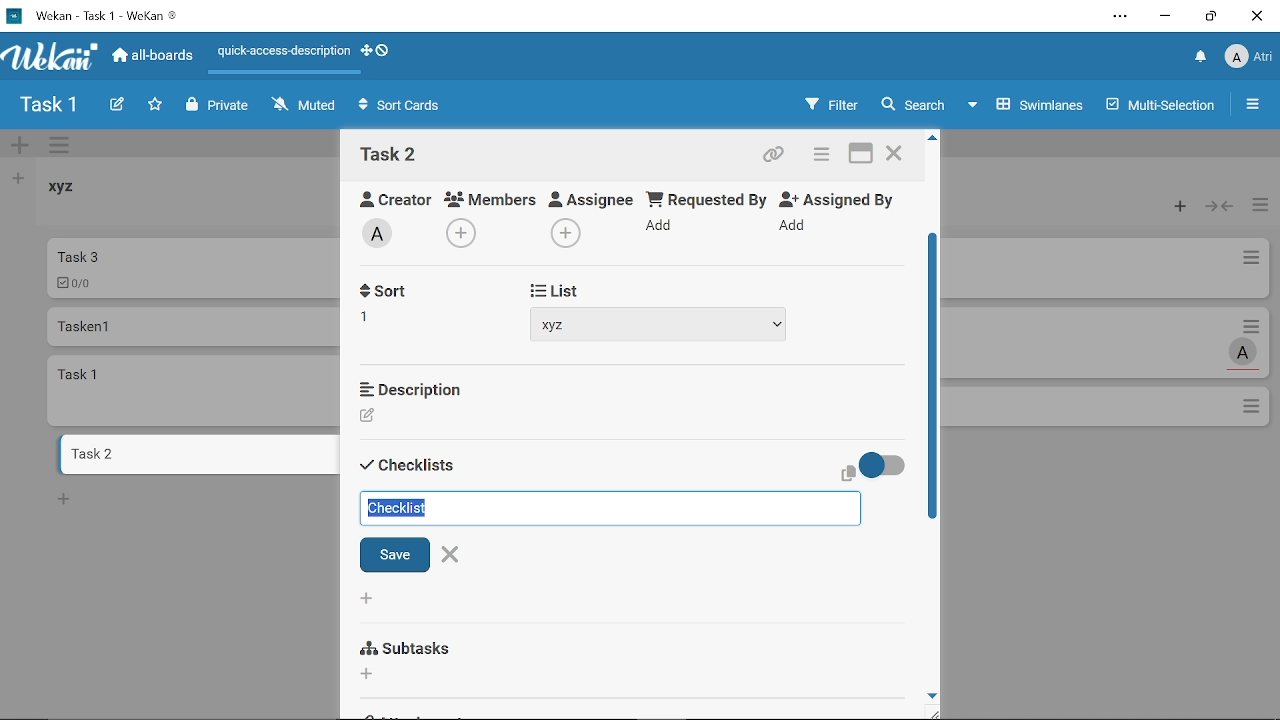  Describe the element at coordinates (61, 147) in the screenshot. I see `Manage swimlane` at that location.